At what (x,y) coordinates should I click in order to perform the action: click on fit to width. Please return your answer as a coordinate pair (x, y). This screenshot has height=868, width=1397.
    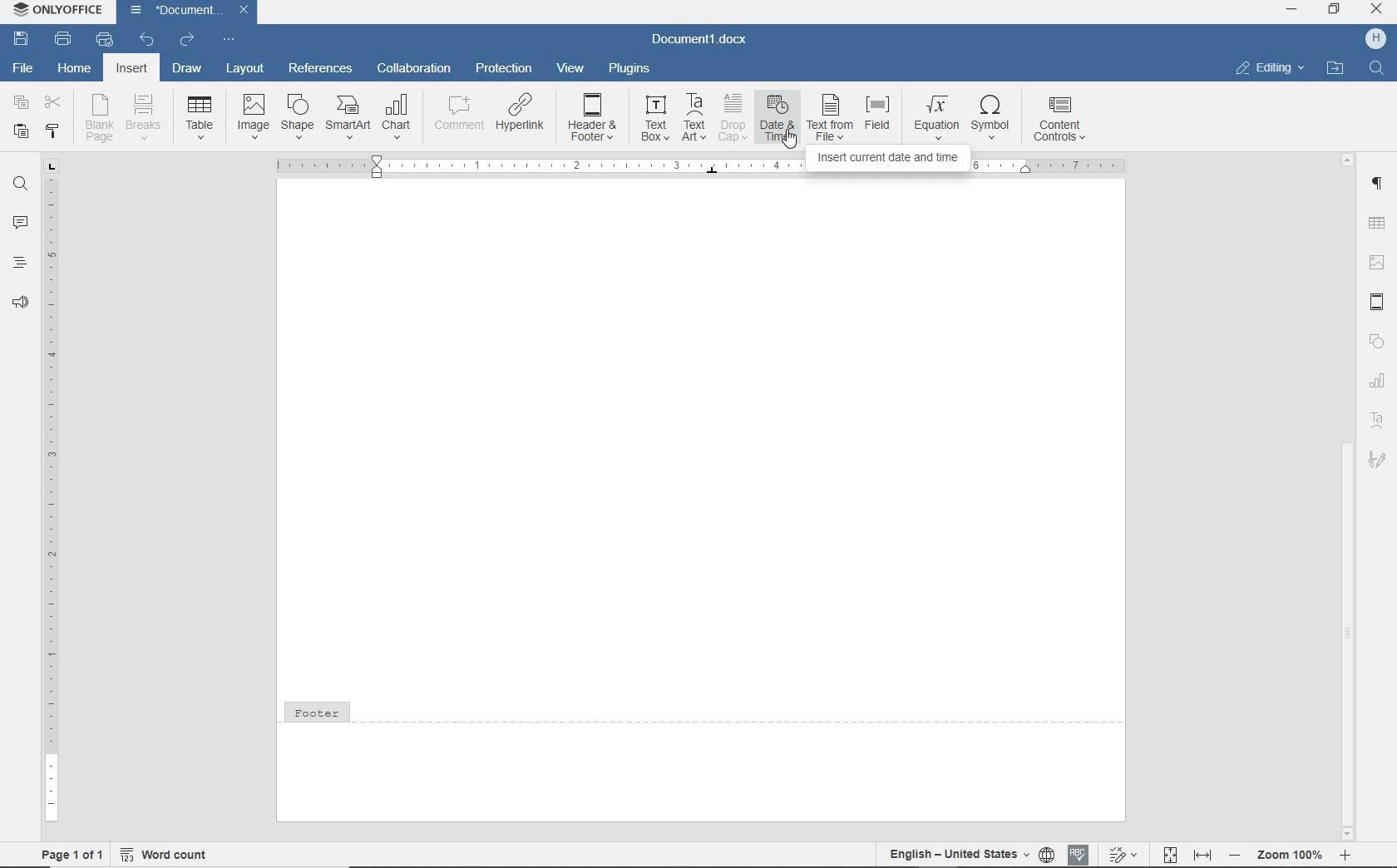
    Looking at the image, I should click on (1203, 856).